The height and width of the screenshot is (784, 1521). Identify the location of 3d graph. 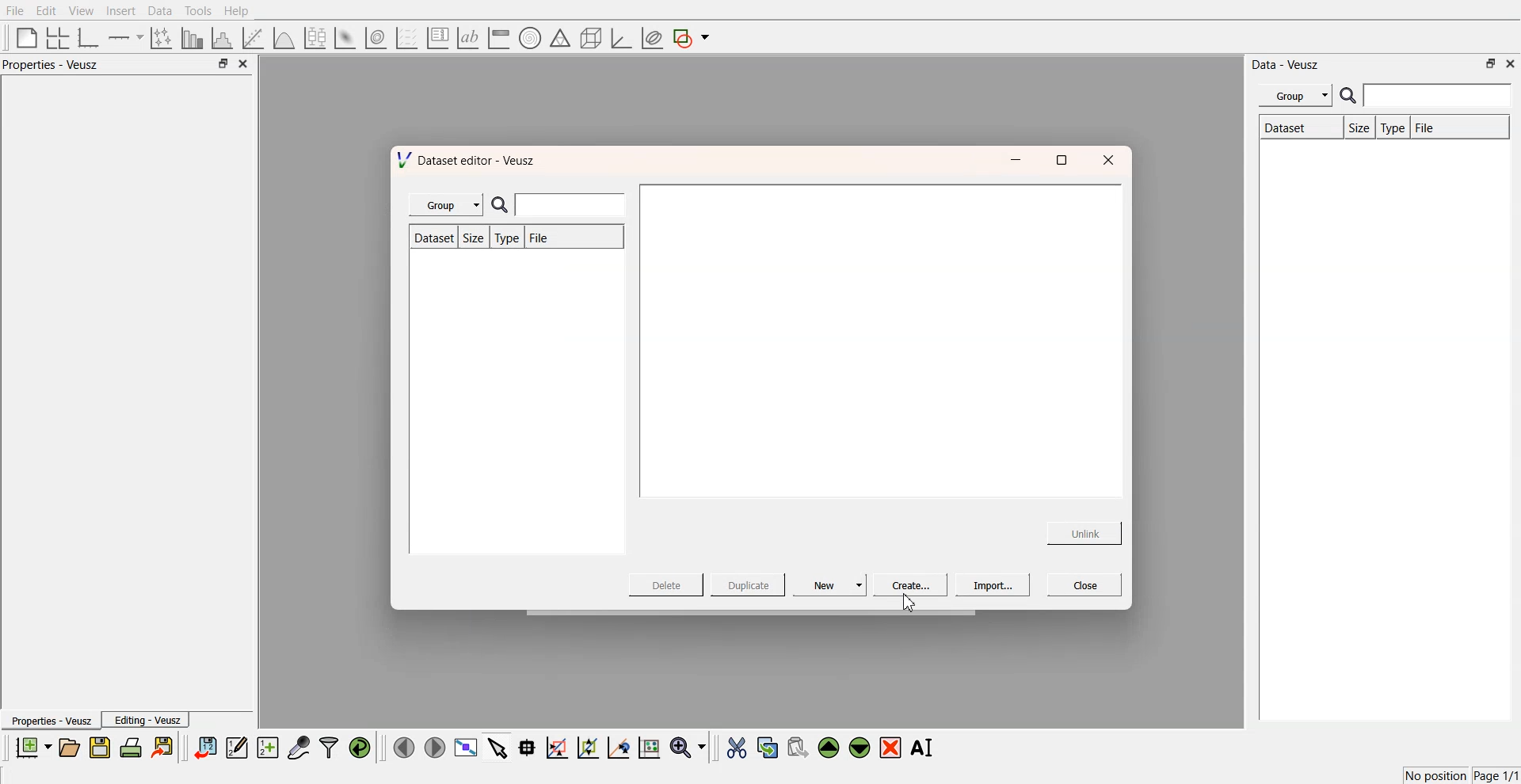
(620, 39).